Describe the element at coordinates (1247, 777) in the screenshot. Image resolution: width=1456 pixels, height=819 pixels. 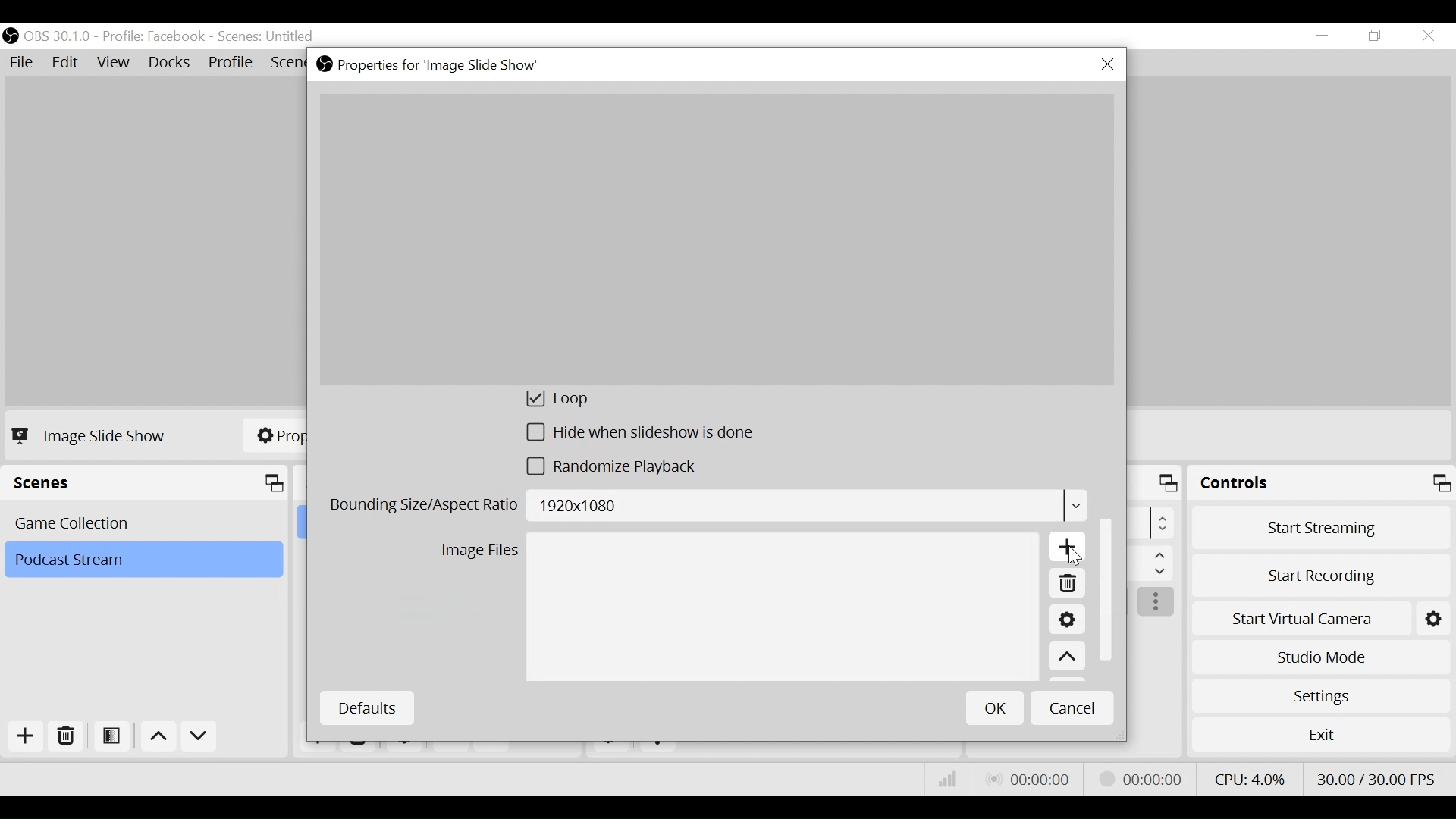
I see `CPU Usage` at that location.